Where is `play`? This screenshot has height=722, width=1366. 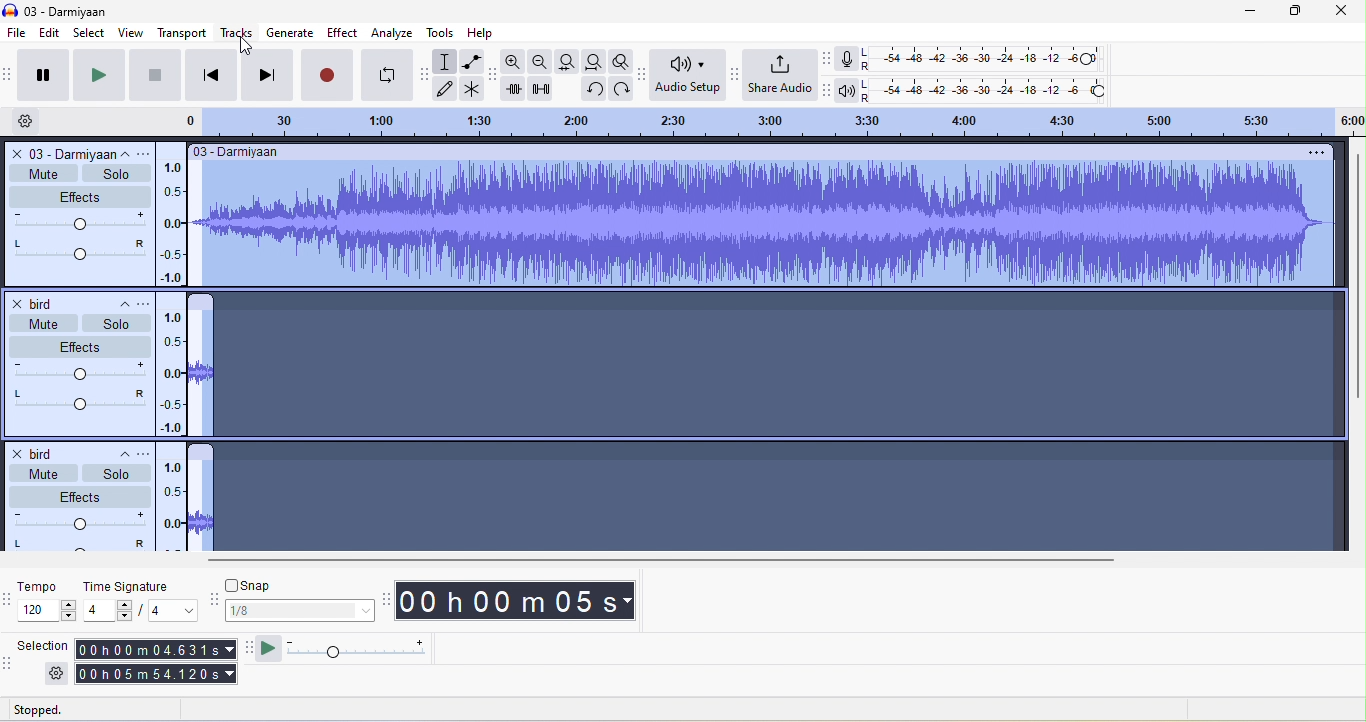 play is located at coordinates (96, 76).